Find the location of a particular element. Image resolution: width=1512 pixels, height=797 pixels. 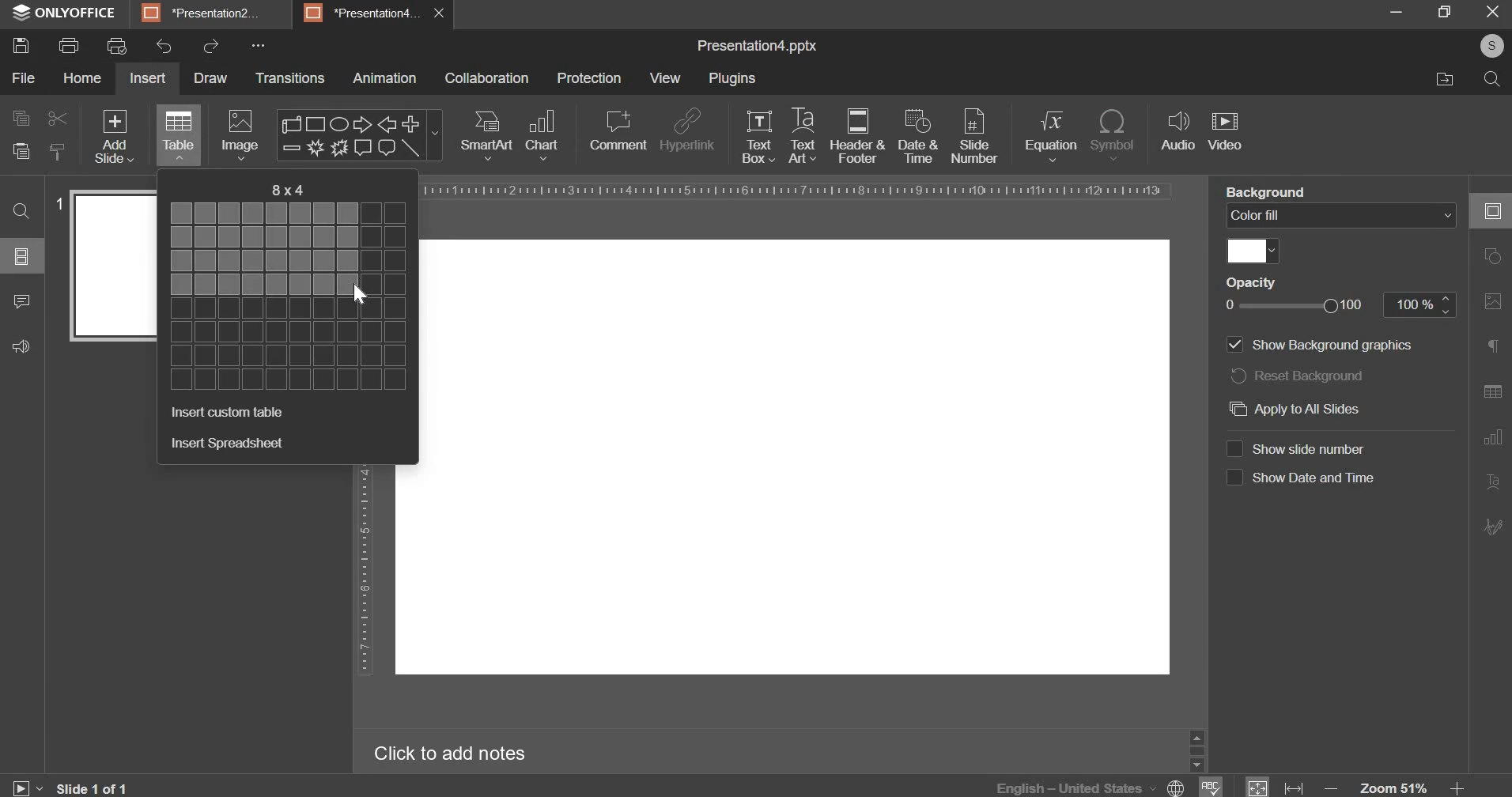

table is located at coordinates (293, 297).